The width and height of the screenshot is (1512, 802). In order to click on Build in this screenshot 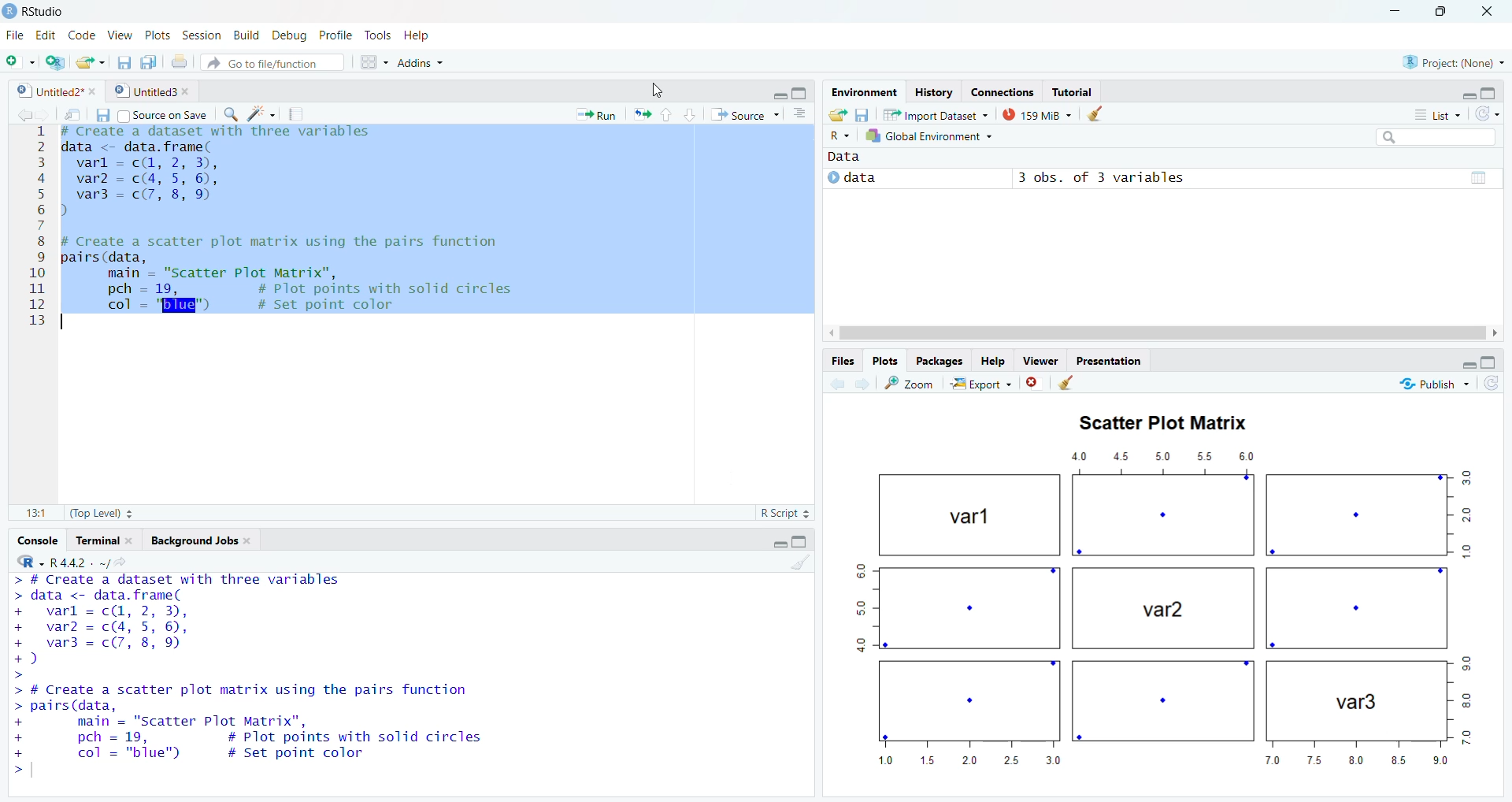, I will do `click(245, 35)`.